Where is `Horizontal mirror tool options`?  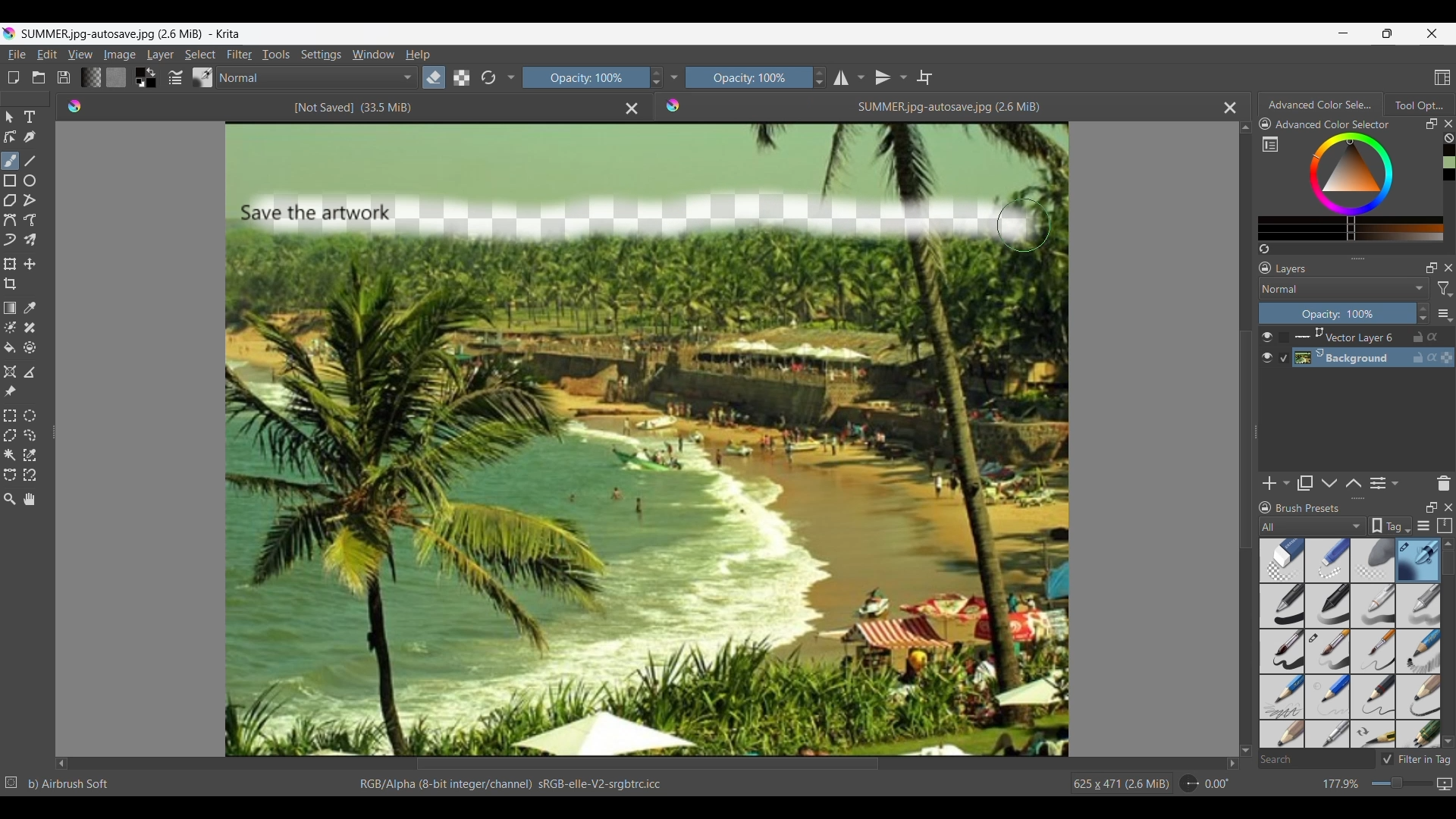 Horizontal mirror tool options is located at coordinates (849, 79).